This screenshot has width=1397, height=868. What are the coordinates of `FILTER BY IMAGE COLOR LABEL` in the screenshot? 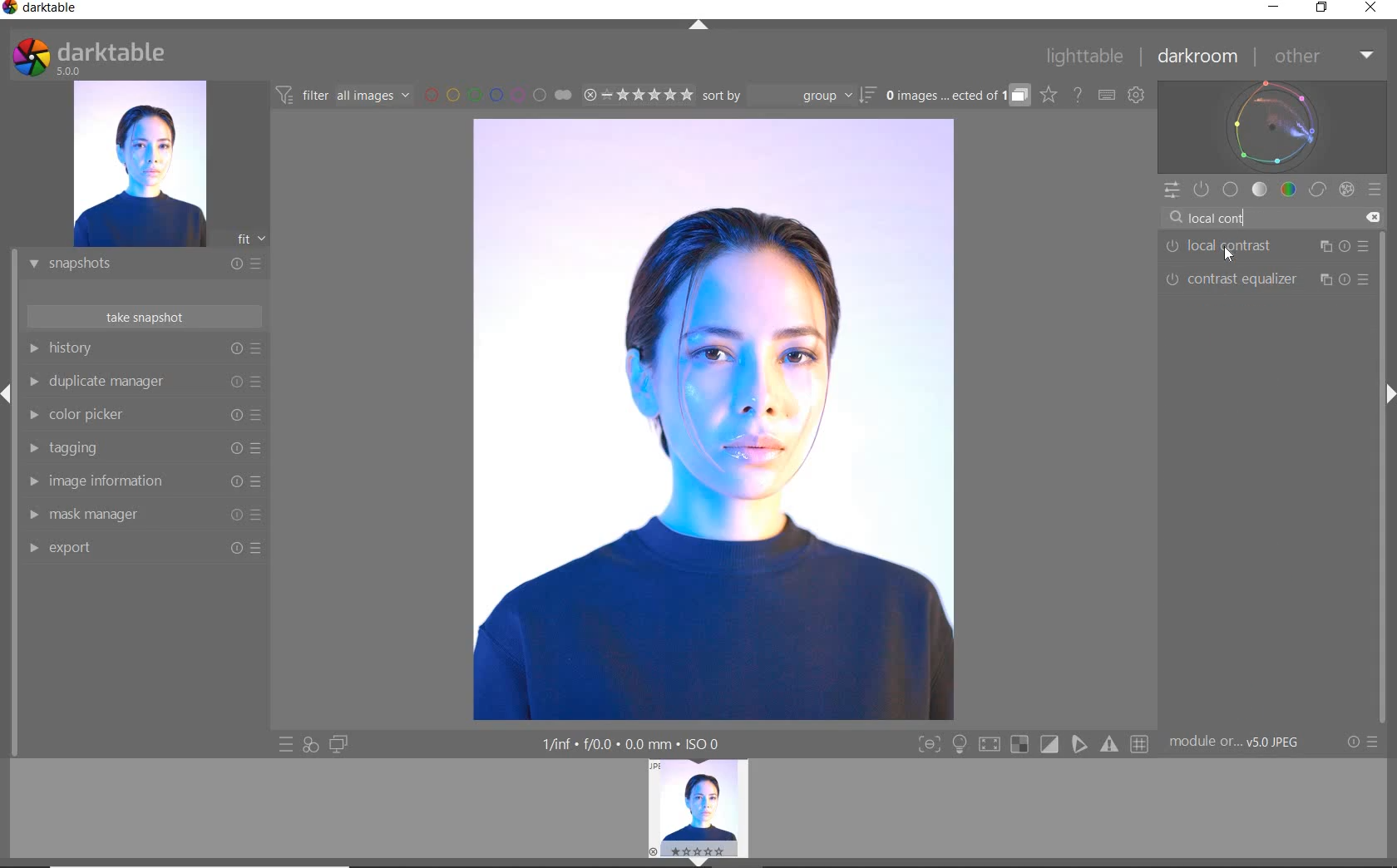 It's located at (498, 94).